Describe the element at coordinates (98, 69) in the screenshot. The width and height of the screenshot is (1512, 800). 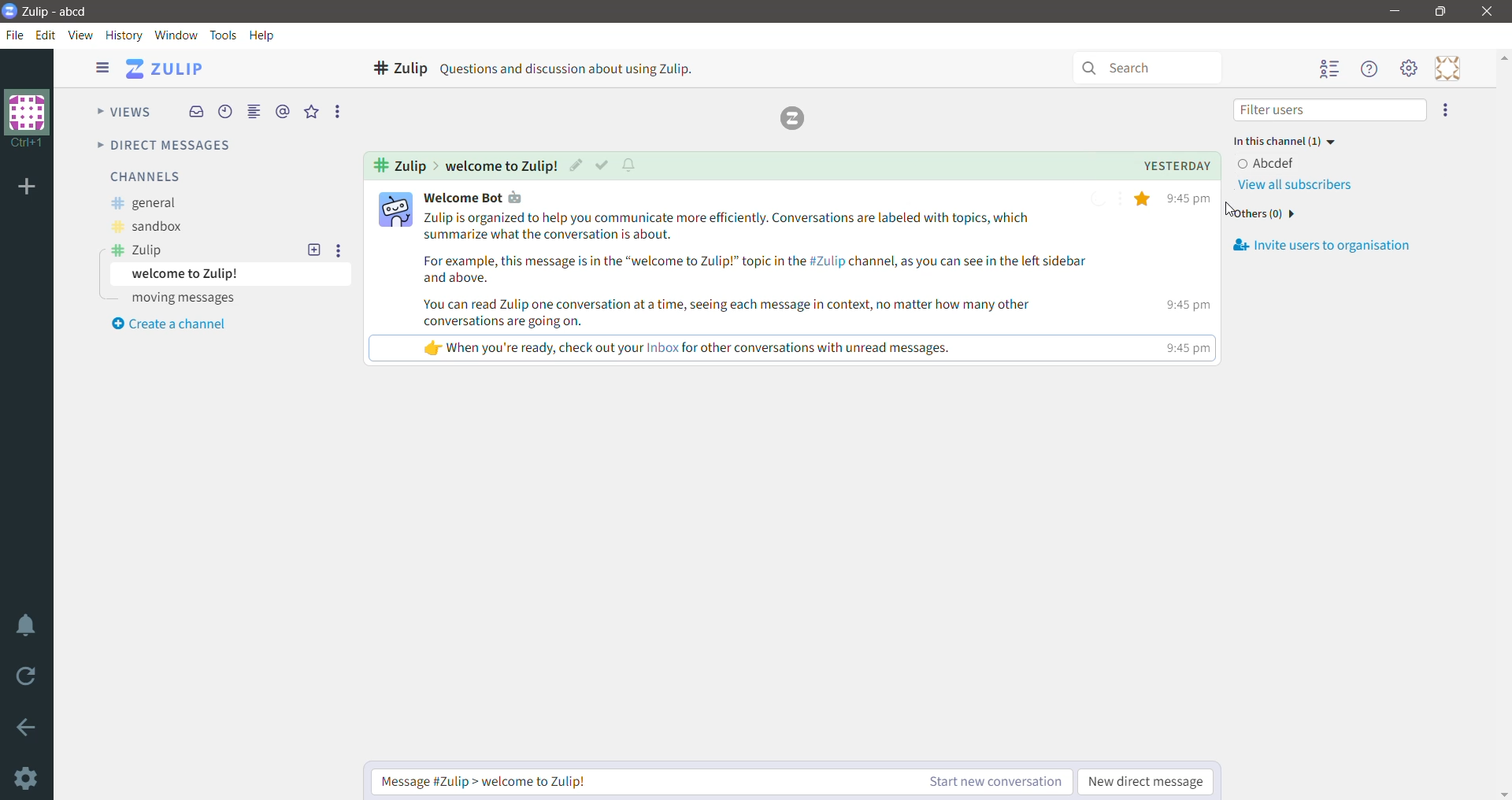
I see `Show/Hide left sidebar` at that location.